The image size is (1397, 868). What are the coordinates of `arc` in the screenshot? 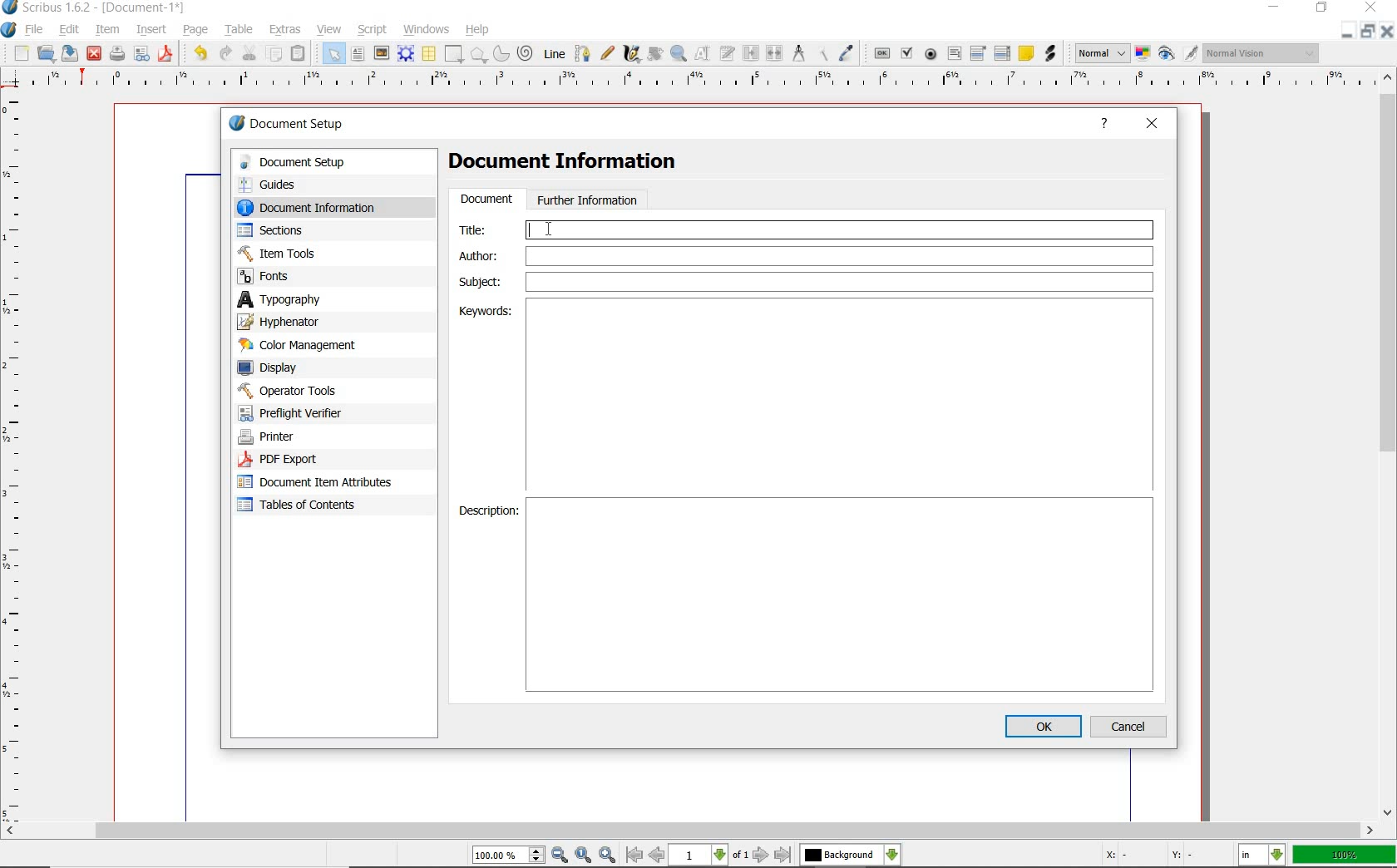 It's located at (501, 53).